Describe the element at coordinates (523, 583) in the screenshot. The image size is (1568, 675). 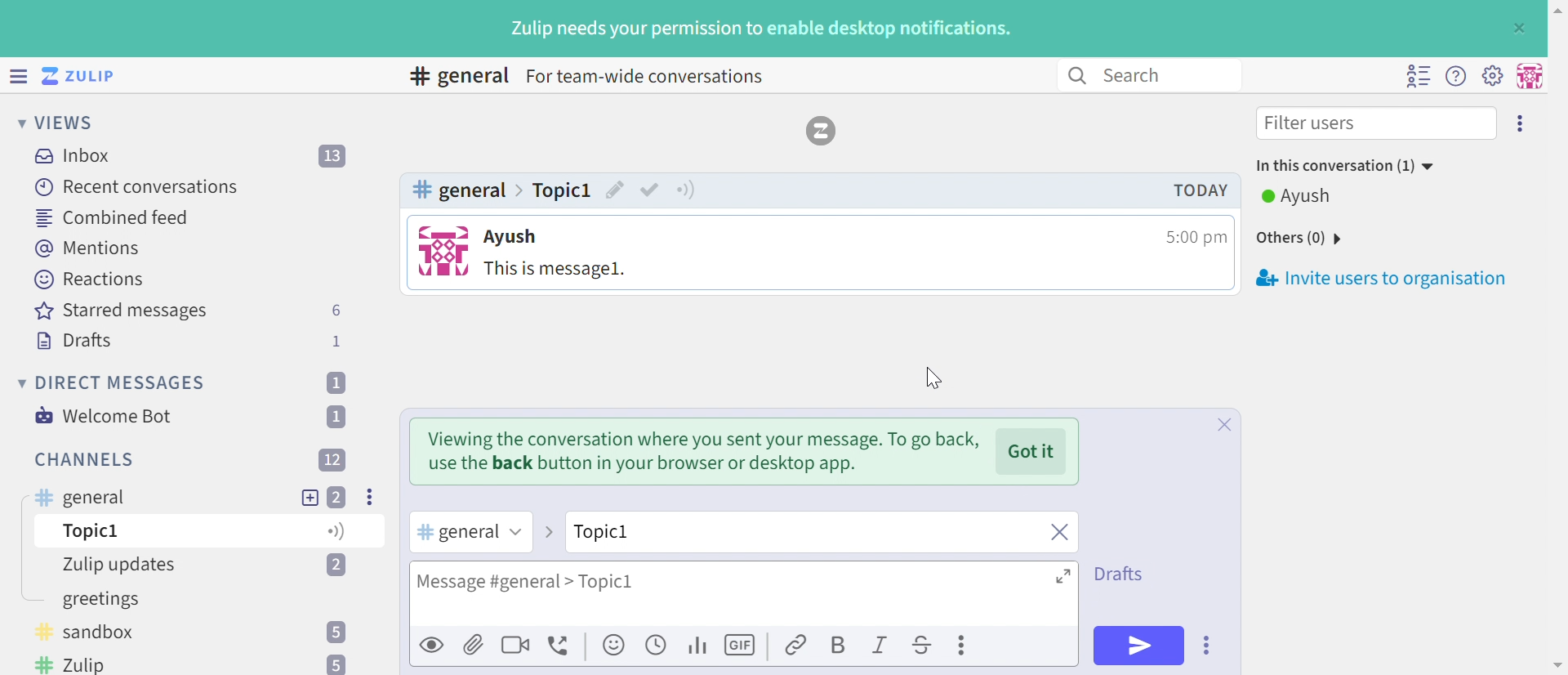
I see `| Message #general > Topicl` at that location.